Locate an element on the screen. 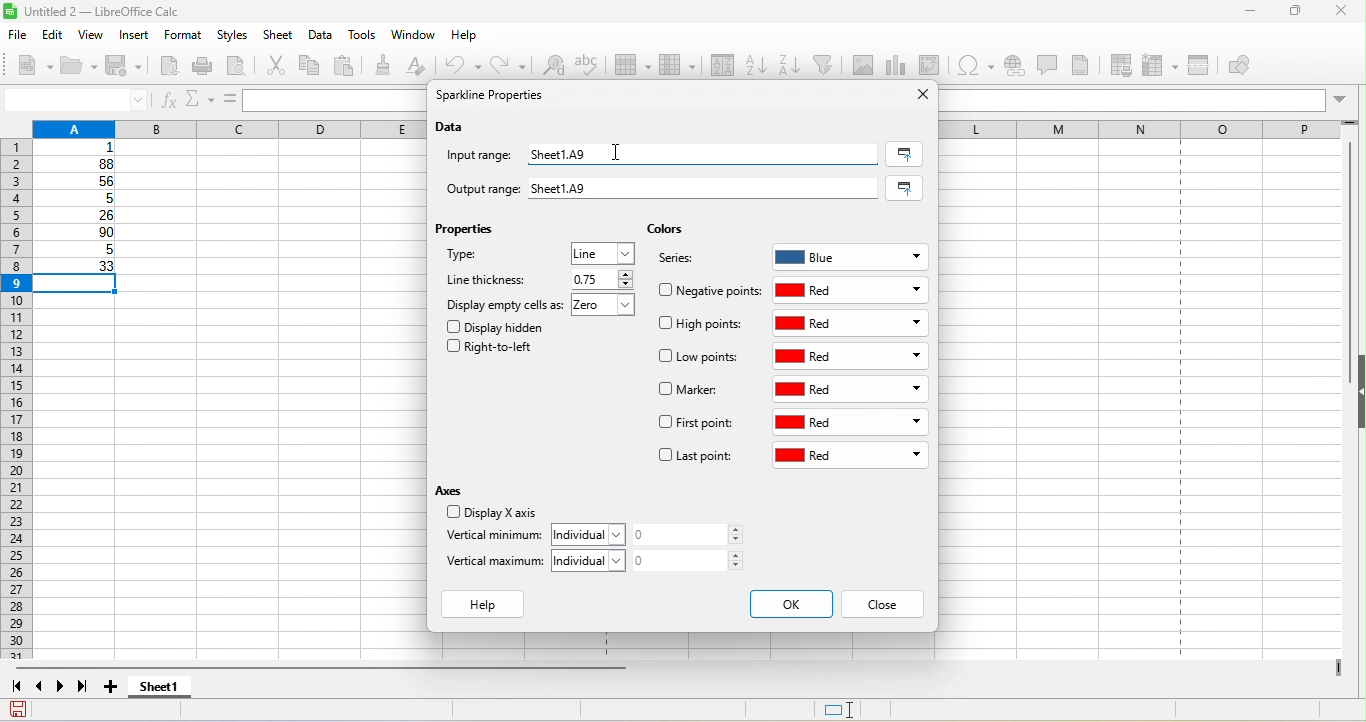 Image resolution: width=1366 pixels, height=722 pixels. headers and footers is located at coordinates (1088, 65).